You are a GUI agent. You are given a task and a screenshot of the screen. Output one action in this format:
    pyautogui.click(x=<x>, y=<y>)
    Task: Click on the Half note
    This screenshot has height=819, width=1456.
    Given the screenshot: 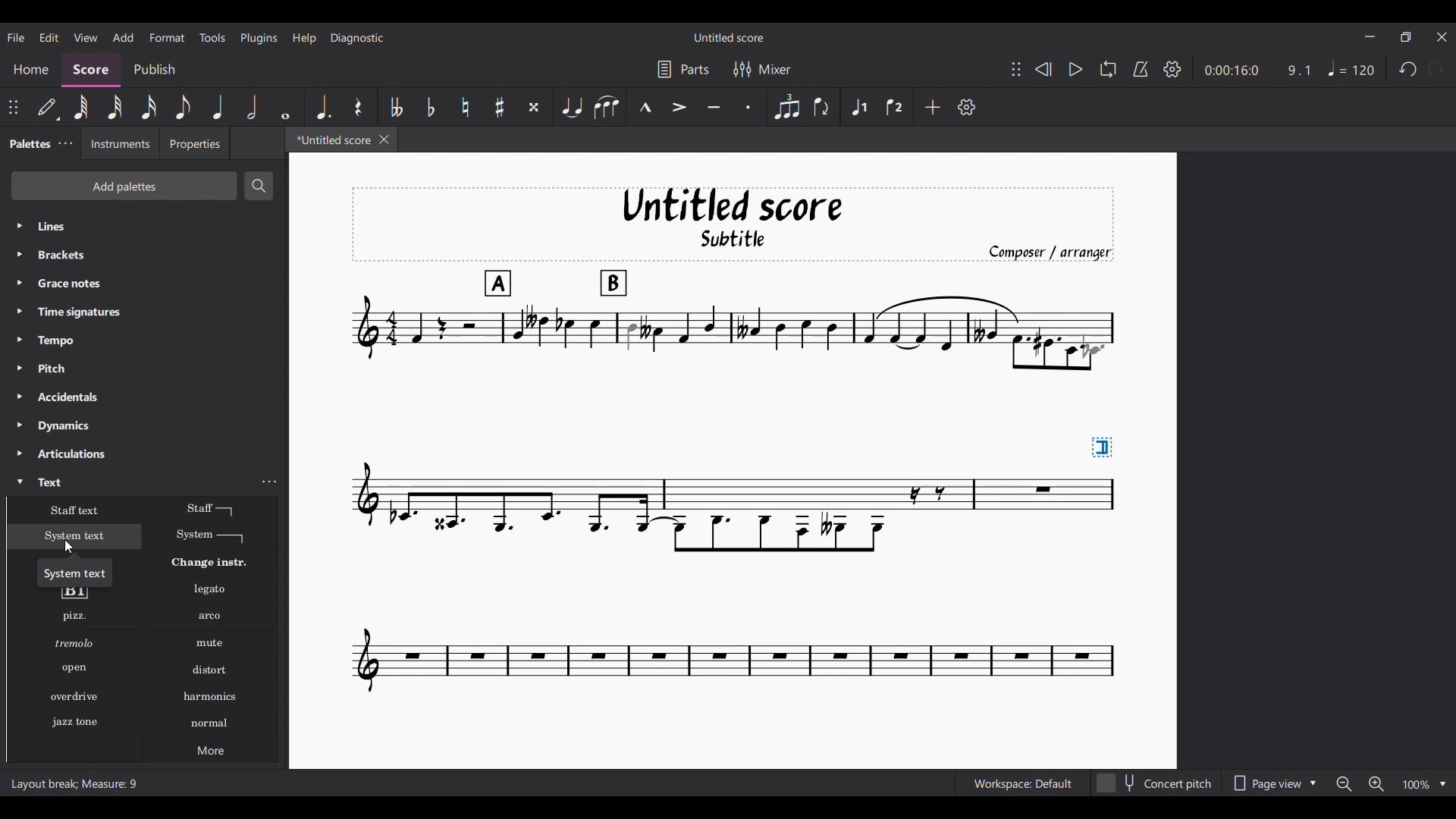 What is the action you would take?
    pyautogui.click(x=252, y=106)
    